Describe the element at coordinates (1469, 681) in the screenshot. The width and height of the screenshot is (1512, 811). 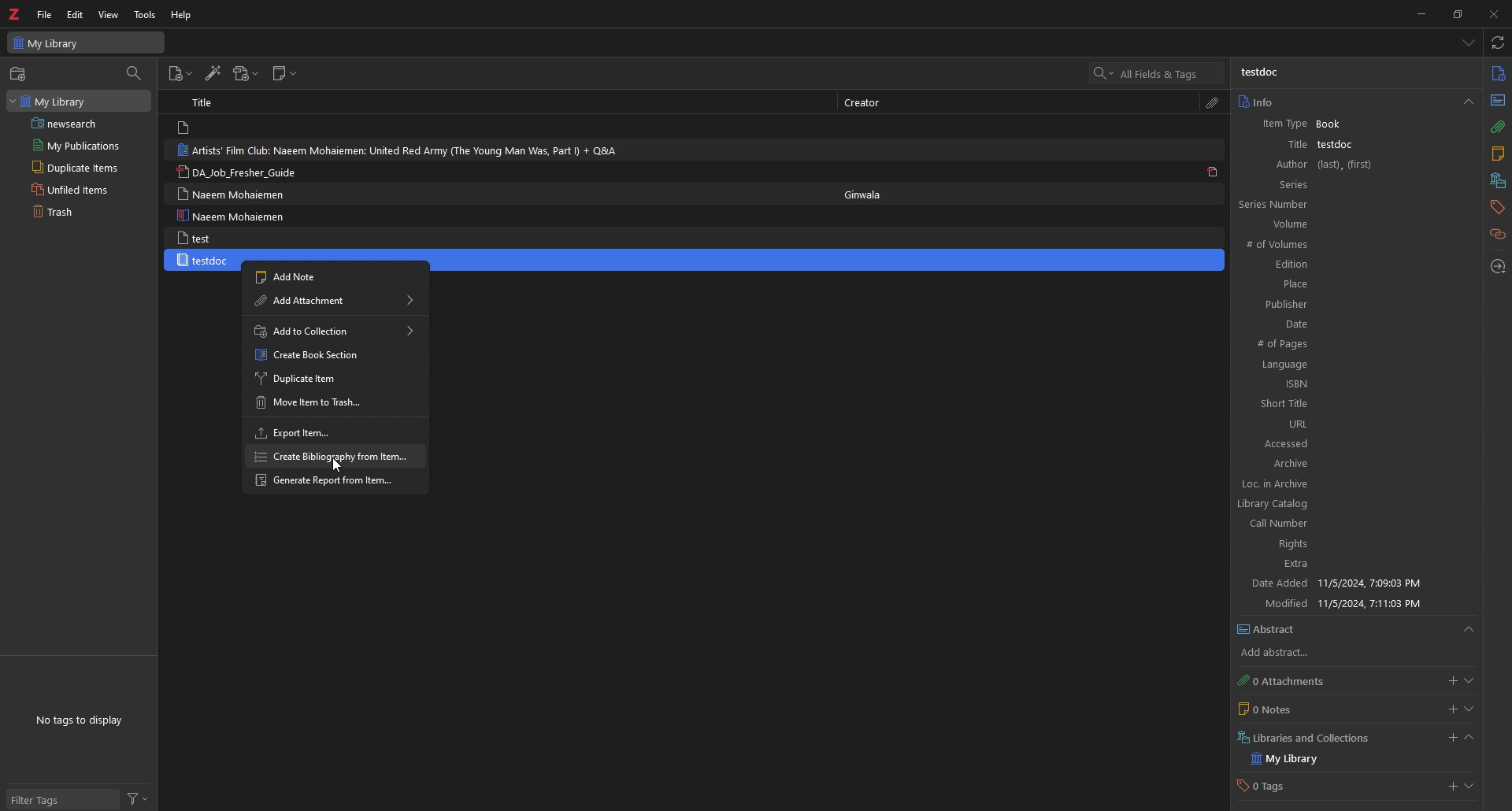
I see `show` at that location.